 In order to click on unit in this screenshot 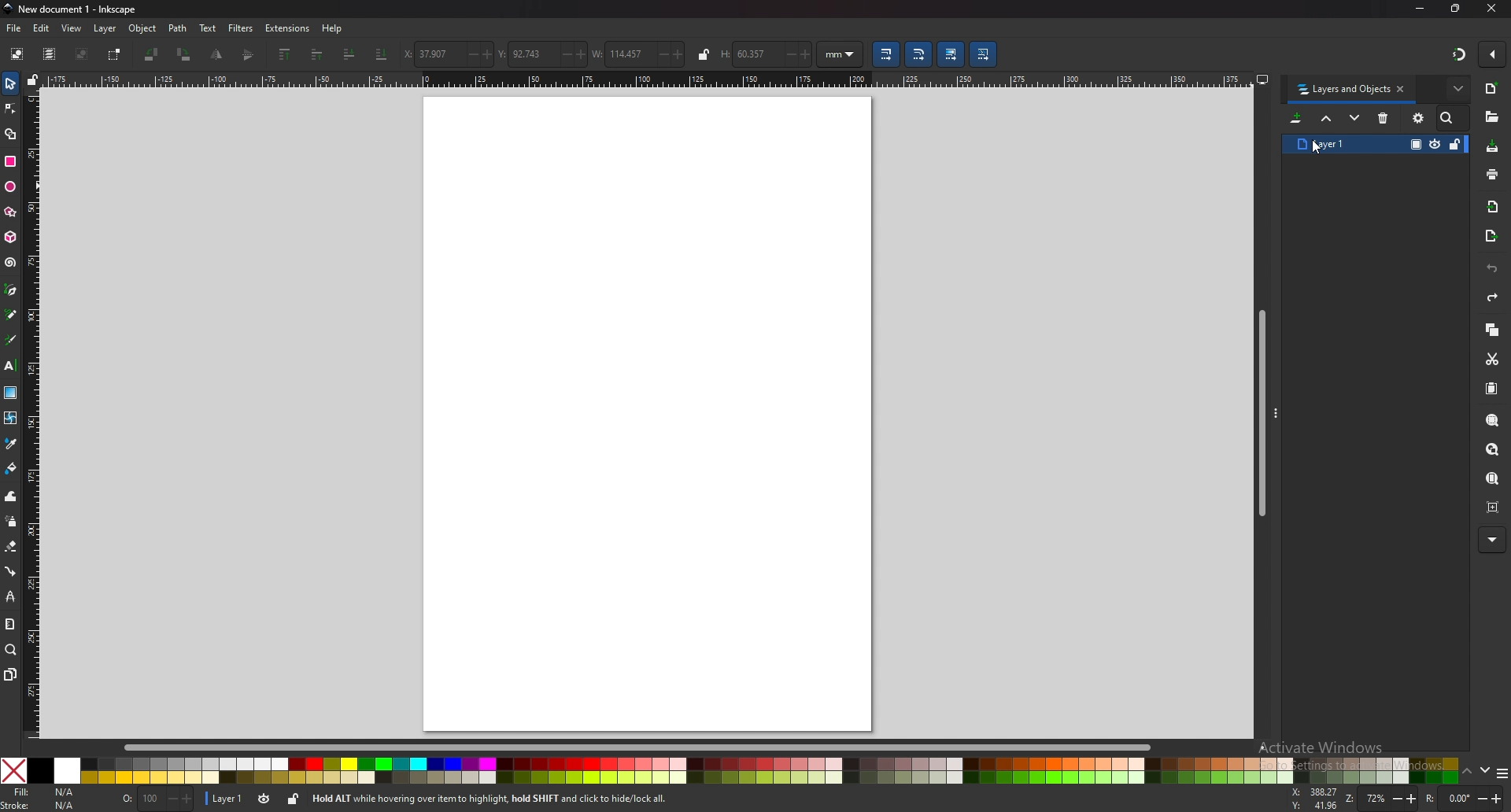, I will do `click(841, 54)`.